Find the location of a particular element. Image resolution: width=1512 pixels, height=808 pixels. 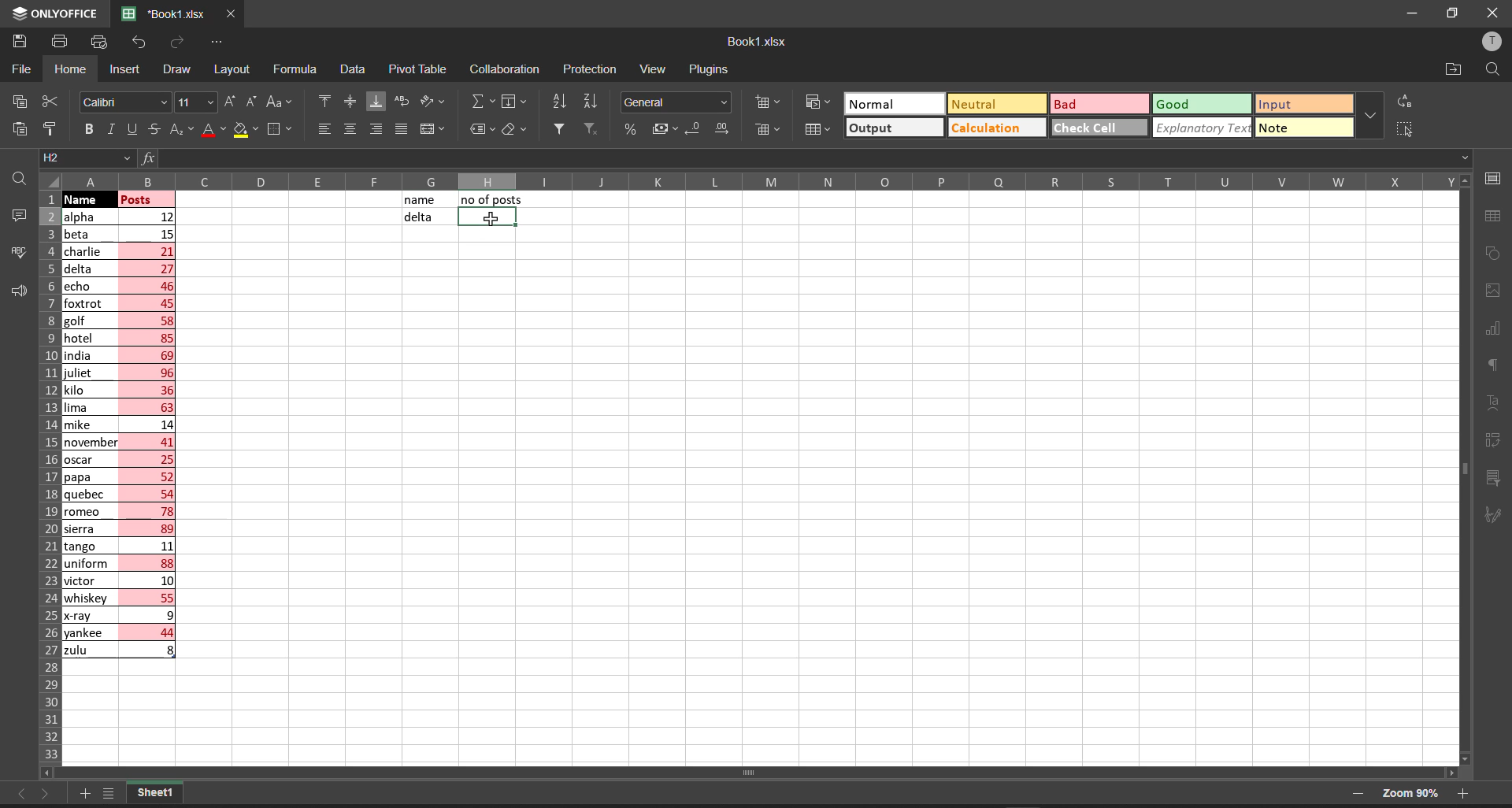

name is located at coordinates (421, 200).